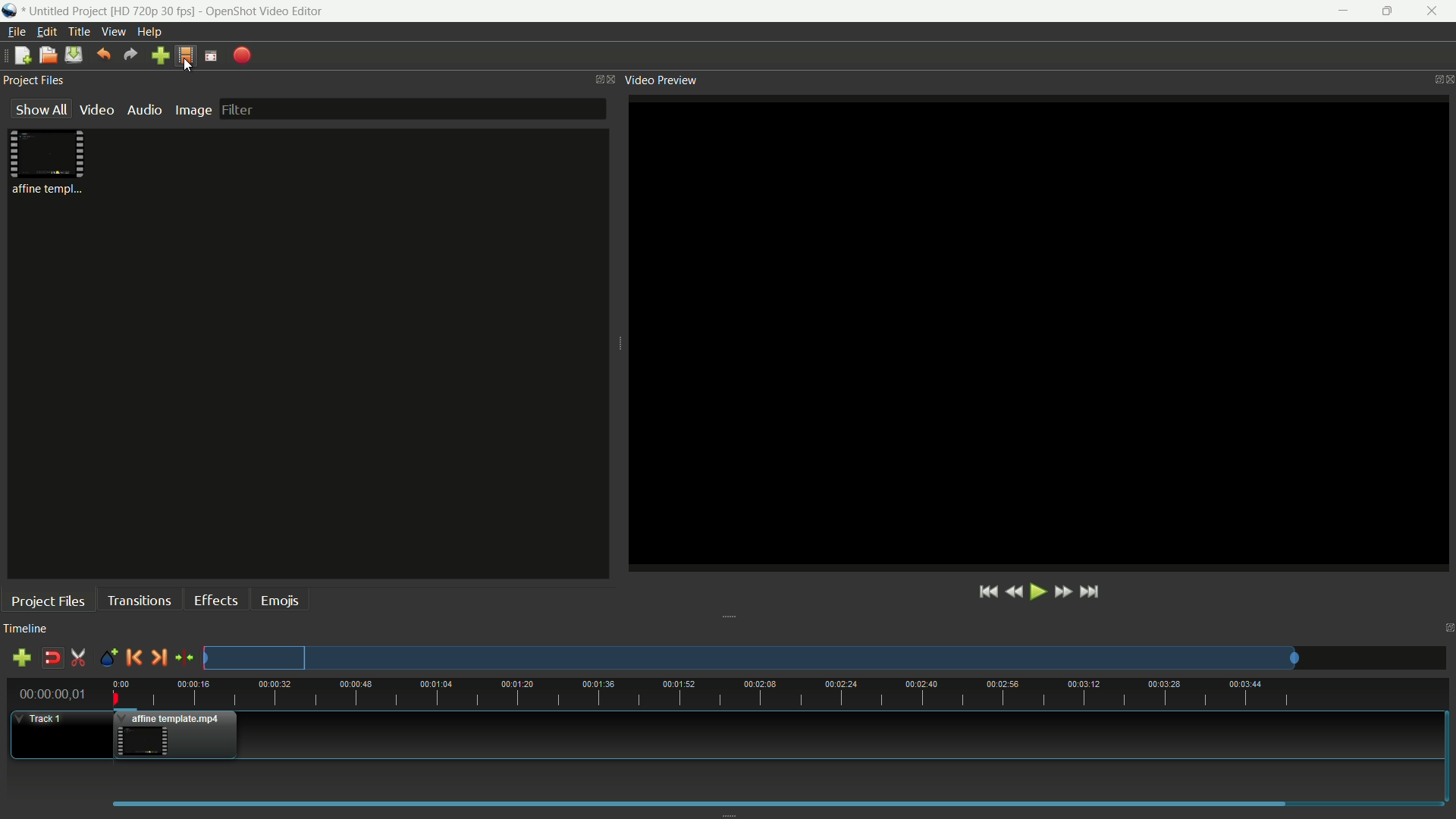 The width and height of the screenshot is (1456, 819). Describe the element at coordinates (41, 108) in the screenshot. I see `show all` at that location.